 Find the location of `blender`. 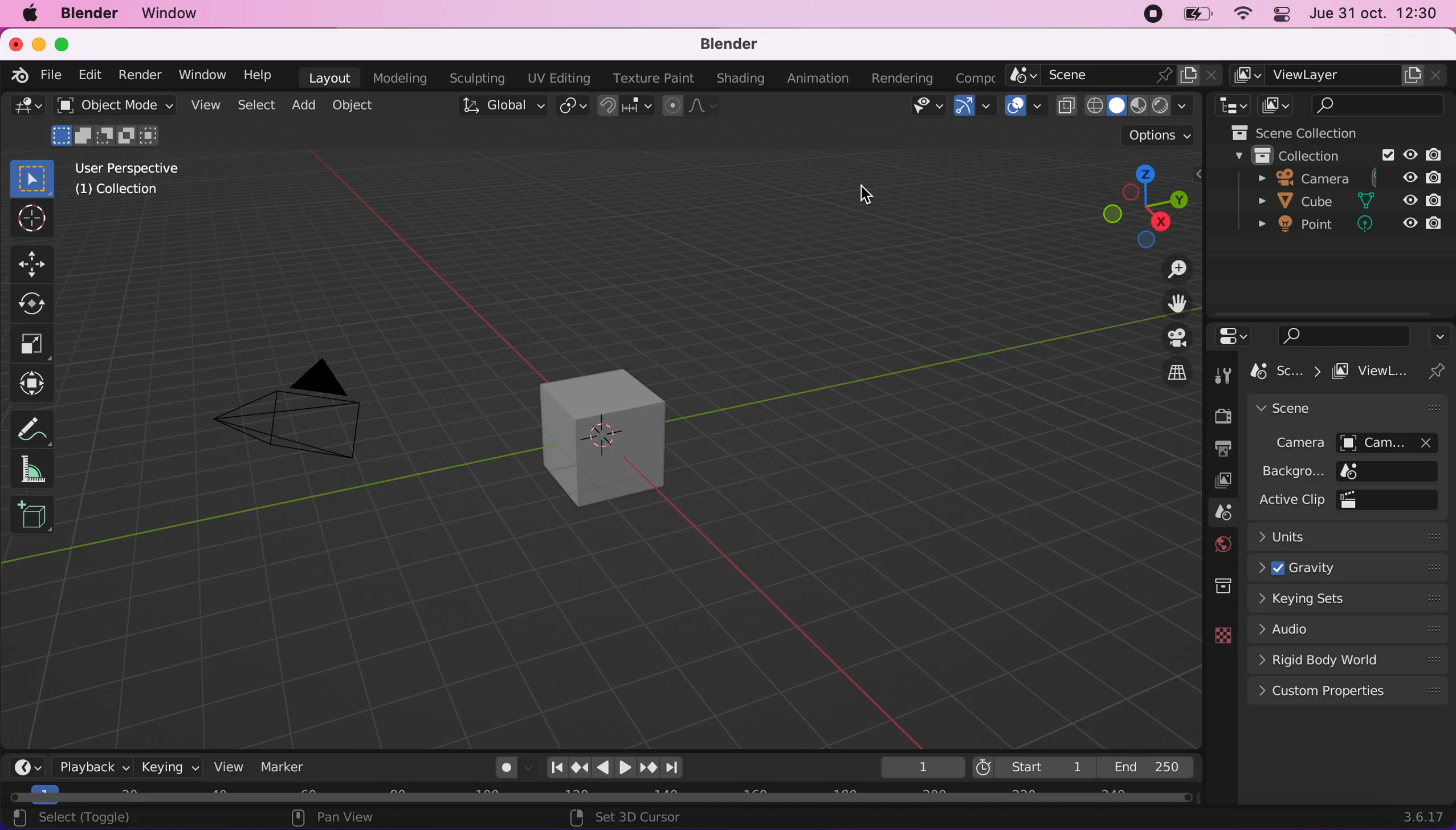

blender is located at coordinates (91, 15).